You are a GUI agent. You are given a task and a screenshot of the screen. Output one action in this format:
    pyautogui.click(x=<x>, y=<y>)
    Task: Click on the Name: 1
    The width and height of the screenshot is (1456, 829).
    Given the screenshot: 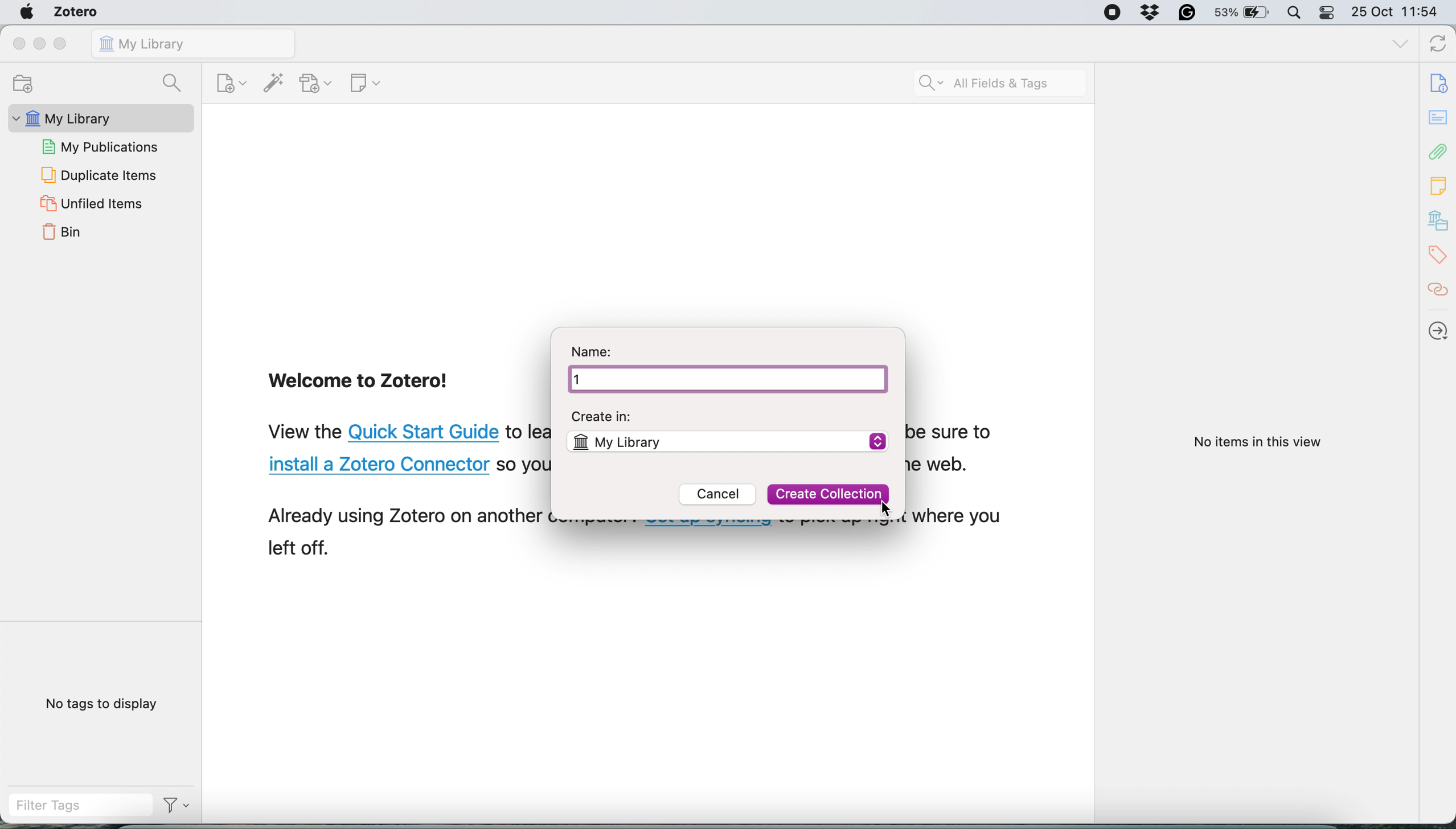 What is the action you would take?
    pyautogui.click(x=728, y=368)
    